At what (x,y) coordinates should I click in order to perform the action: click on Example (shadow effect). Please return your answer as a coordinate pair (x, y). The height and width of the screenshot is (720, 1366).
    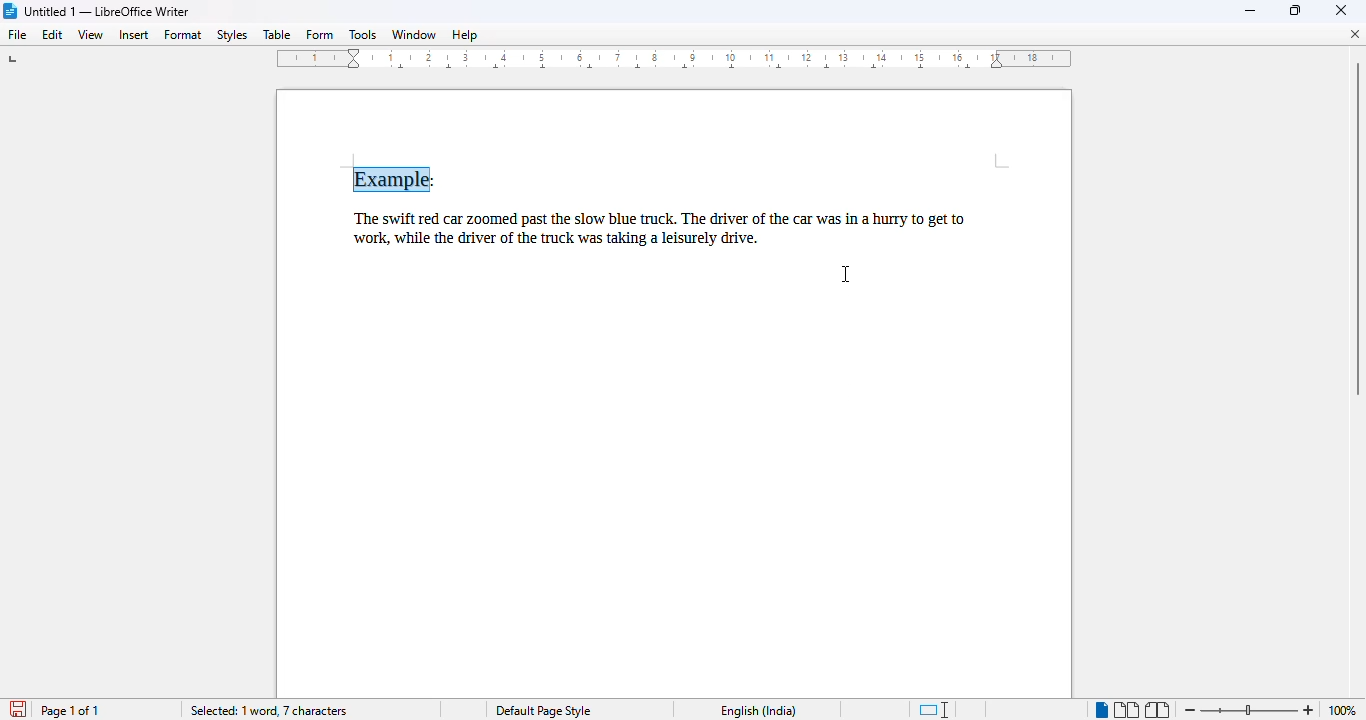
    Looking at the image, I should click on (402, 179).